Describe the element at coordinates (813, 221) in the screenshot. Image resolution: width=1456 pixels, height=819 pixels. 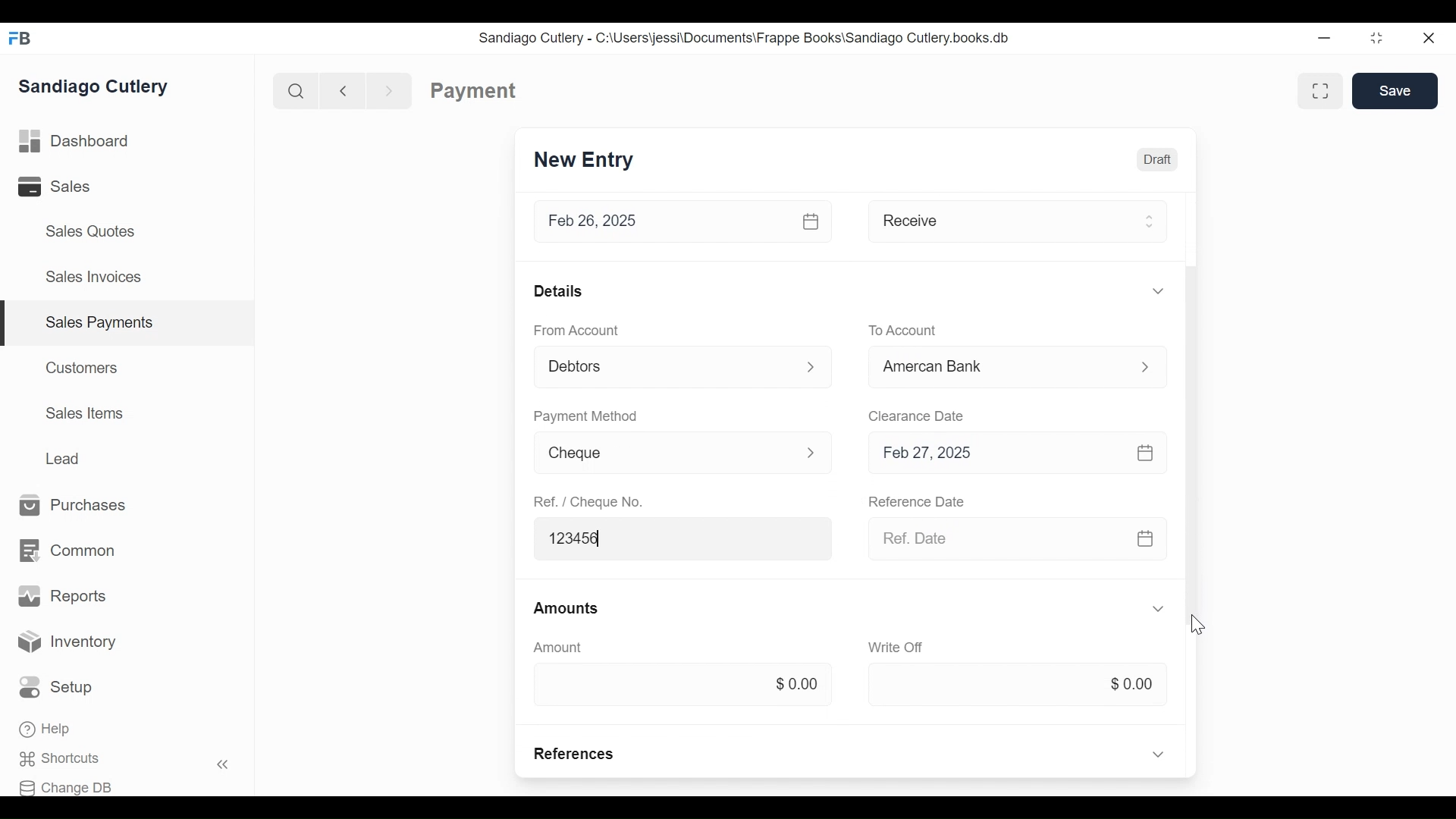
I see `Calendar` at that location.